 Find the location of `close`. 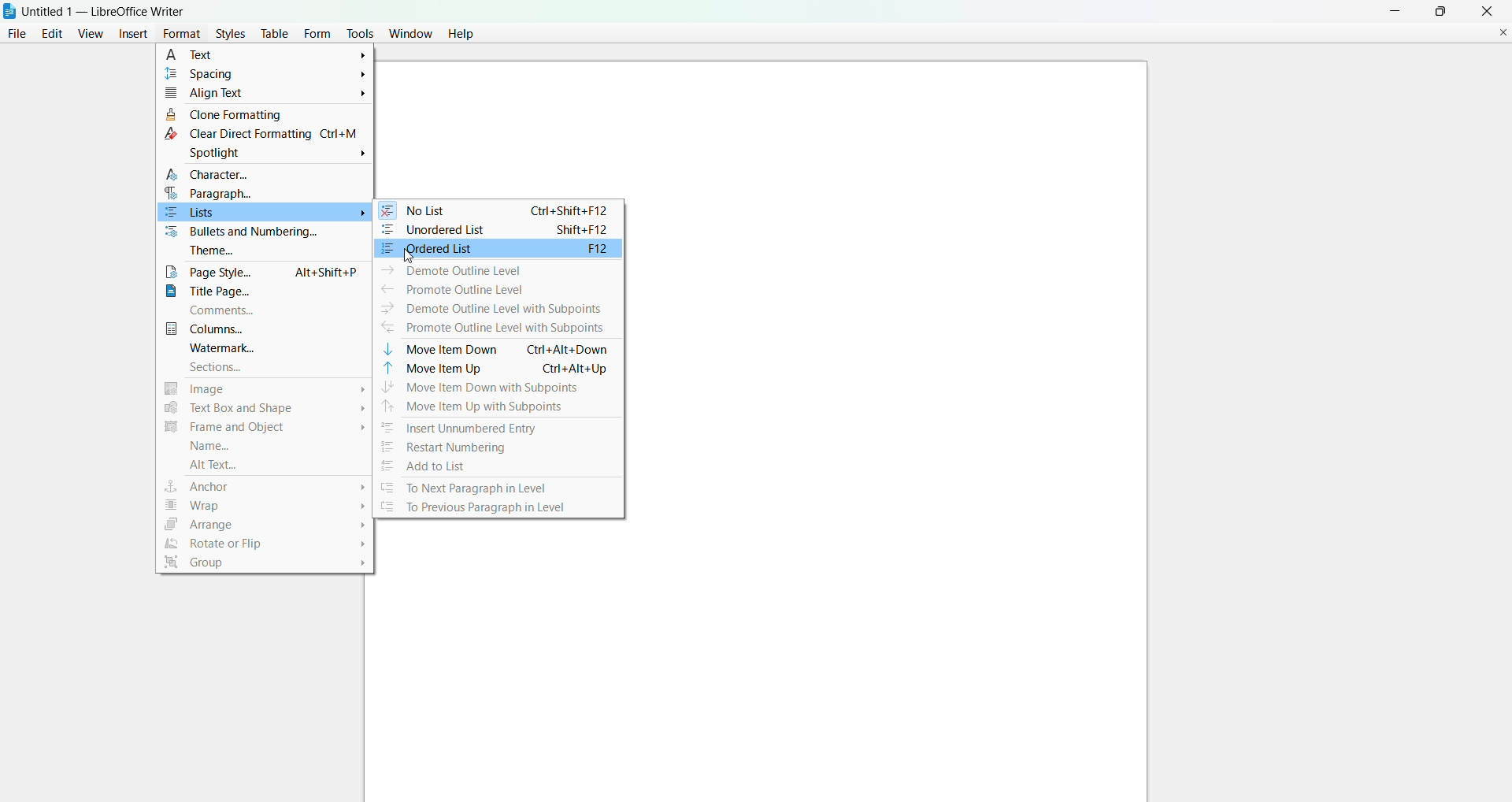

close is located at coordinates (1486, 11).